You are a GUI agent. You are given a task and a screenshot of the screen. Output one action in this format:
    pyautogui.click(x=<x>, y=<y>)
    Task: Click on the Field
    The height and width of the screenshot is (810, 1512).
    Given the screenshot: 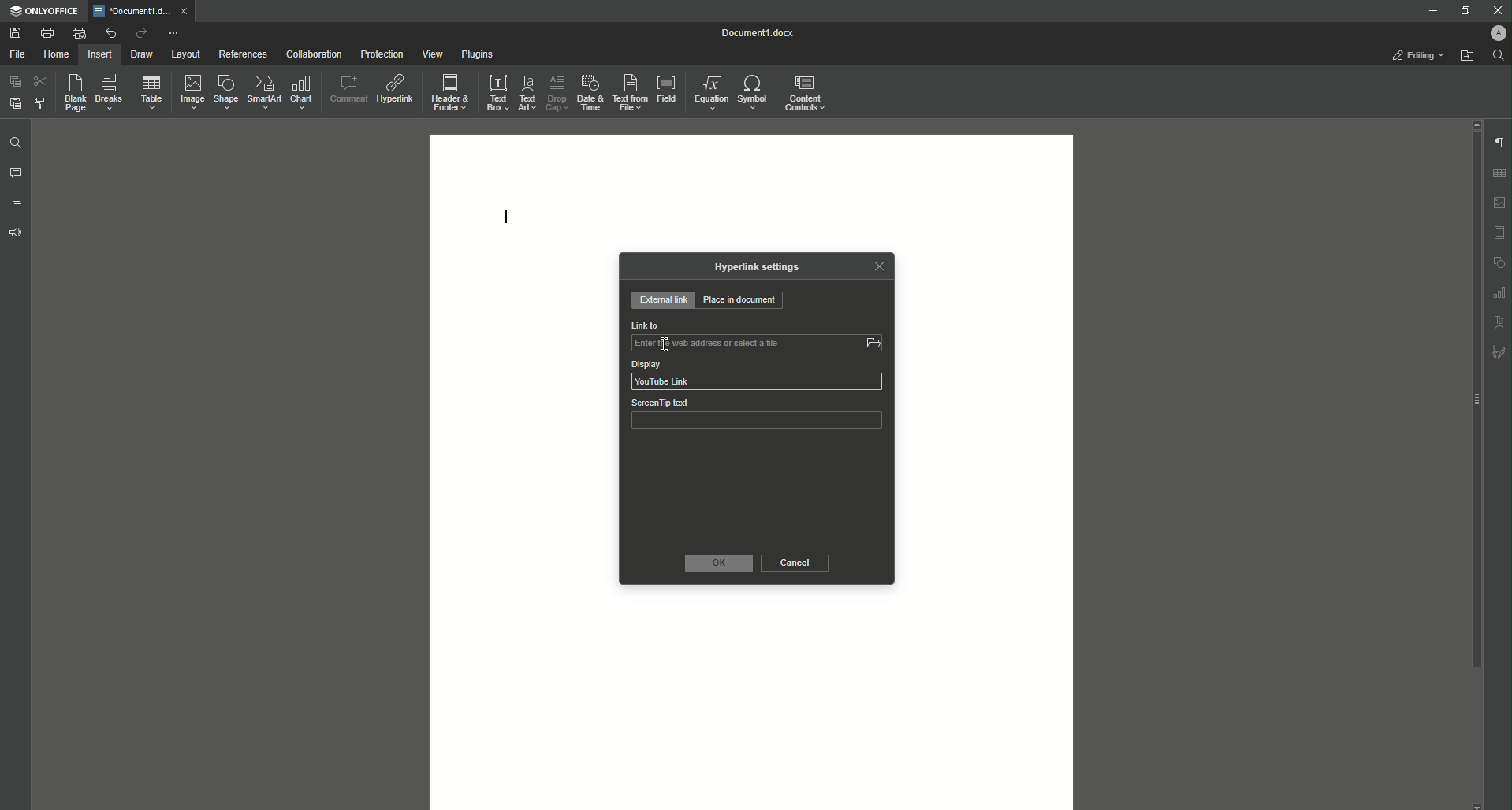 What is the action you would take?
    pyautogui.click(x=667, y=89)
    